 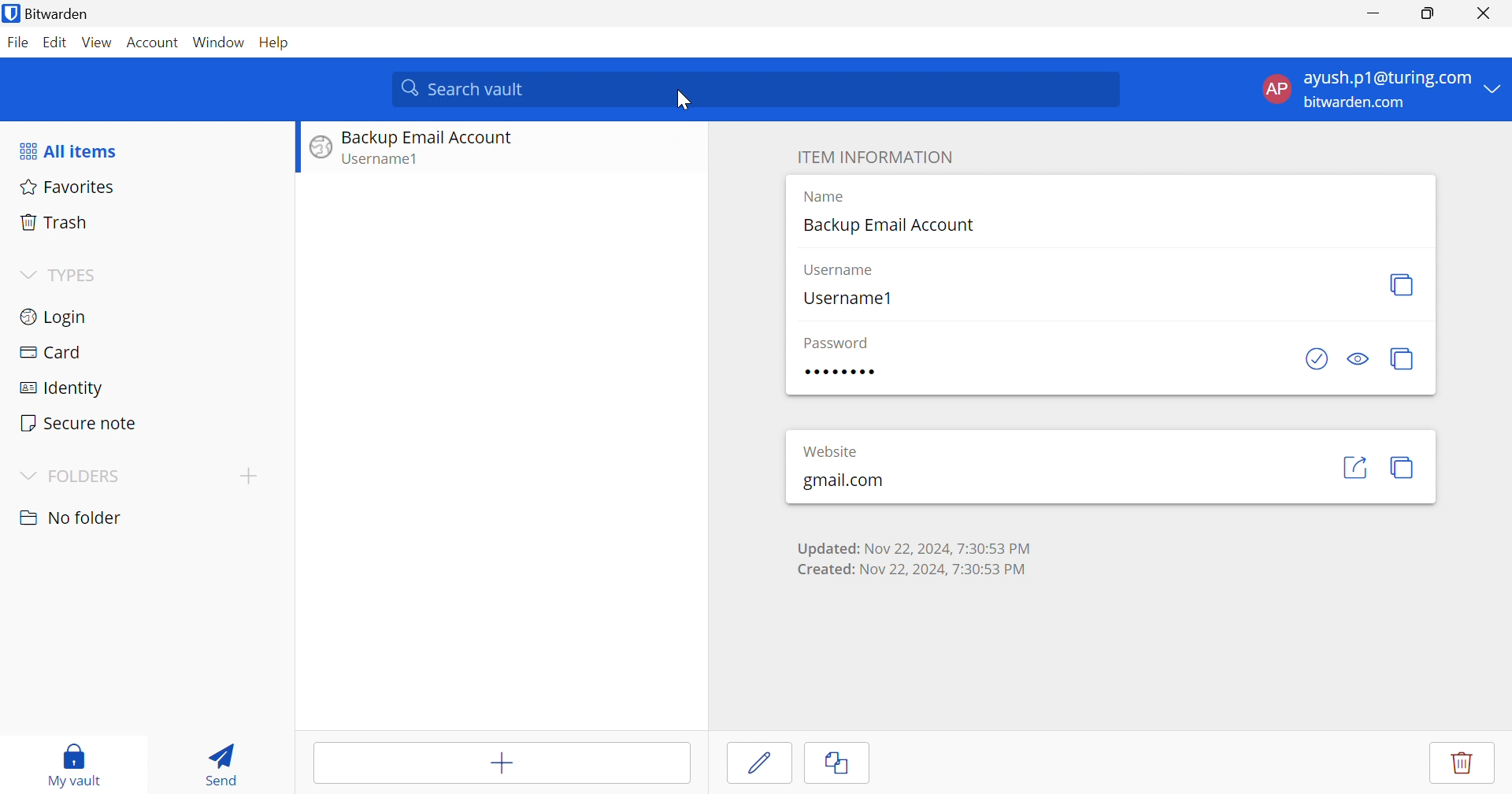 I want to click on copy, so click(x=1408, y=469).